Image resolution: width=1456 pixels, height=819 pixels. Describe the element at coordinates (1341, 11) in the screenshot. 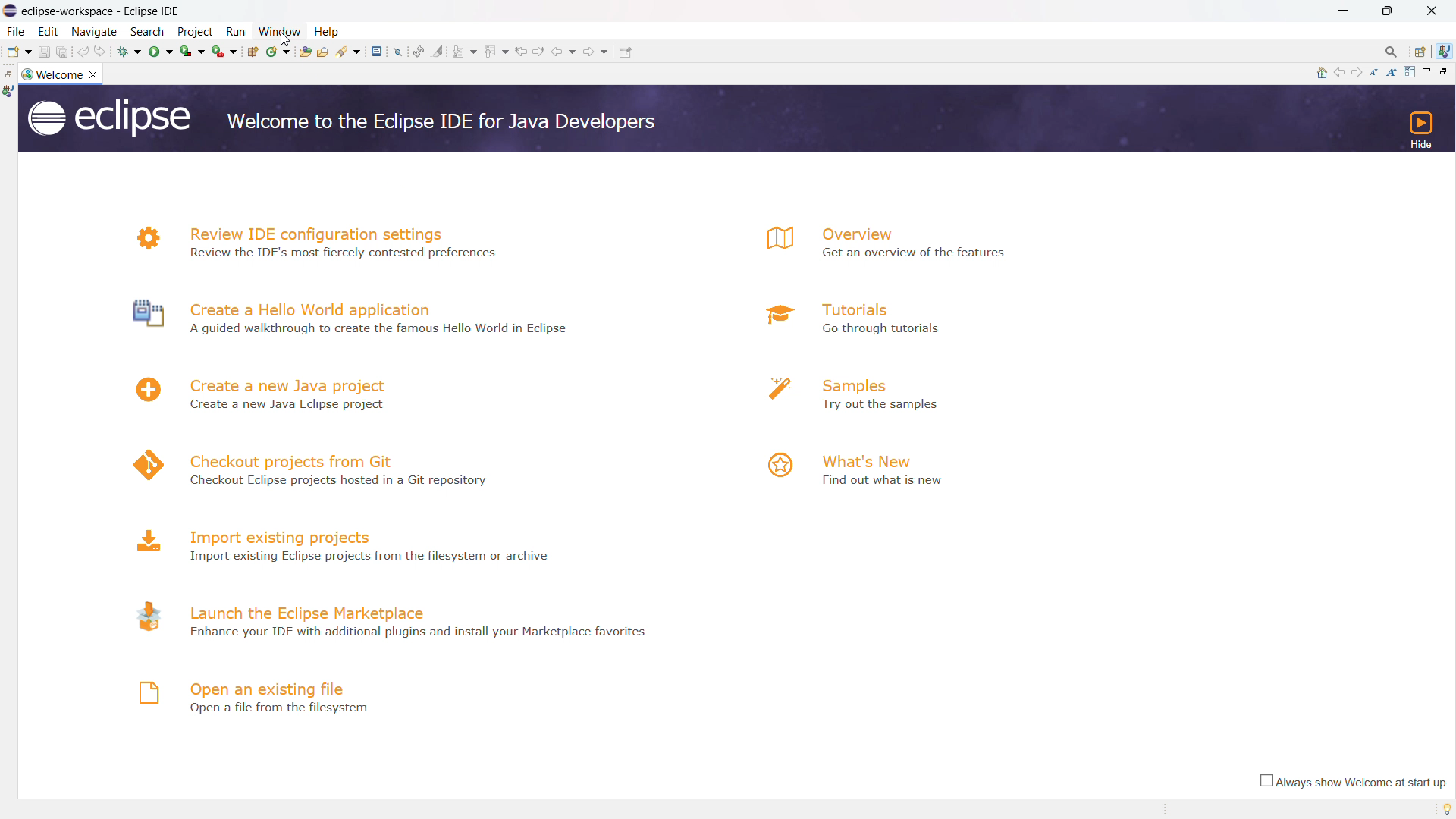

I see `minimize` at that location.